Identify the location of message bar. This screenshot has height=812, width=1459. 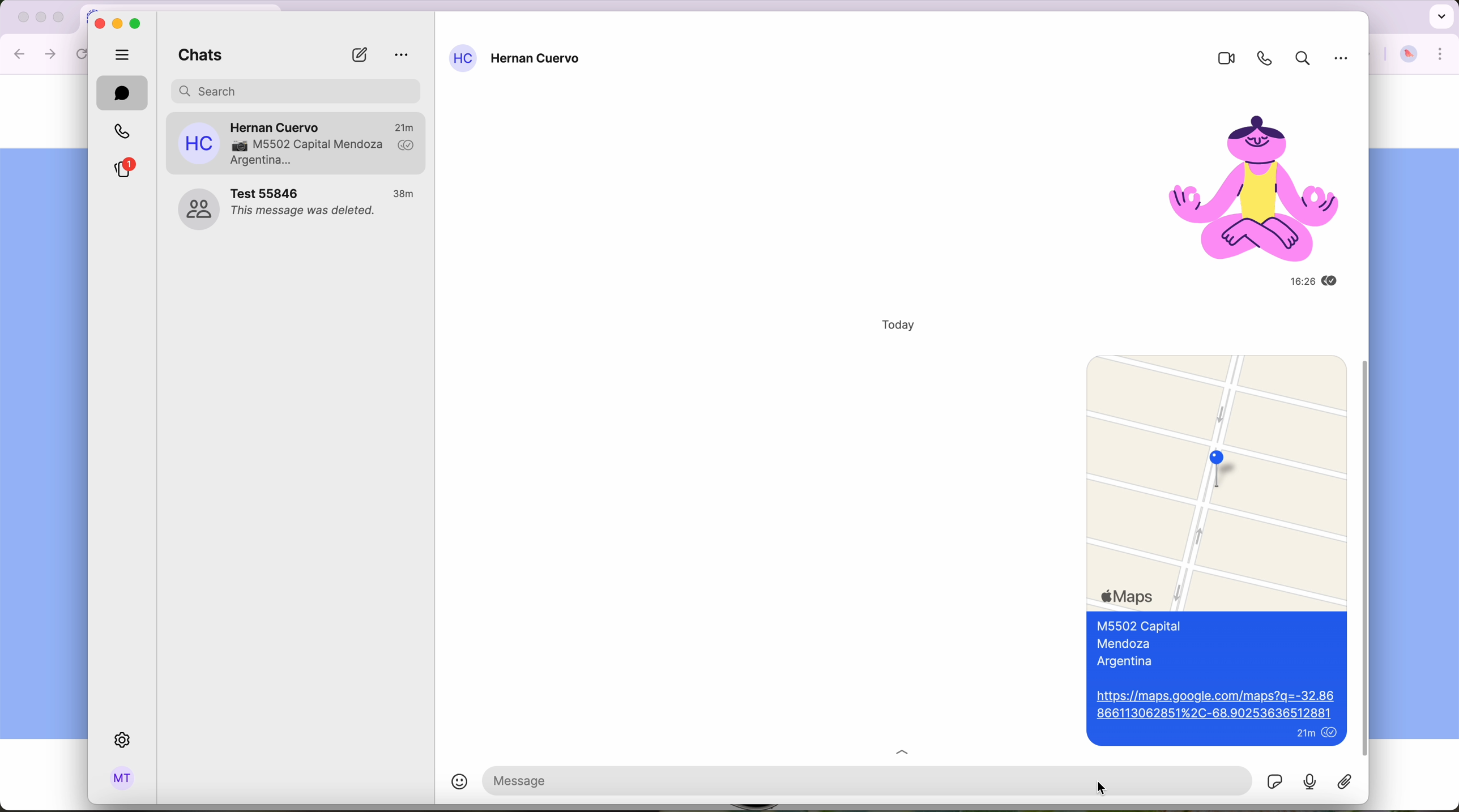
(780, 780).